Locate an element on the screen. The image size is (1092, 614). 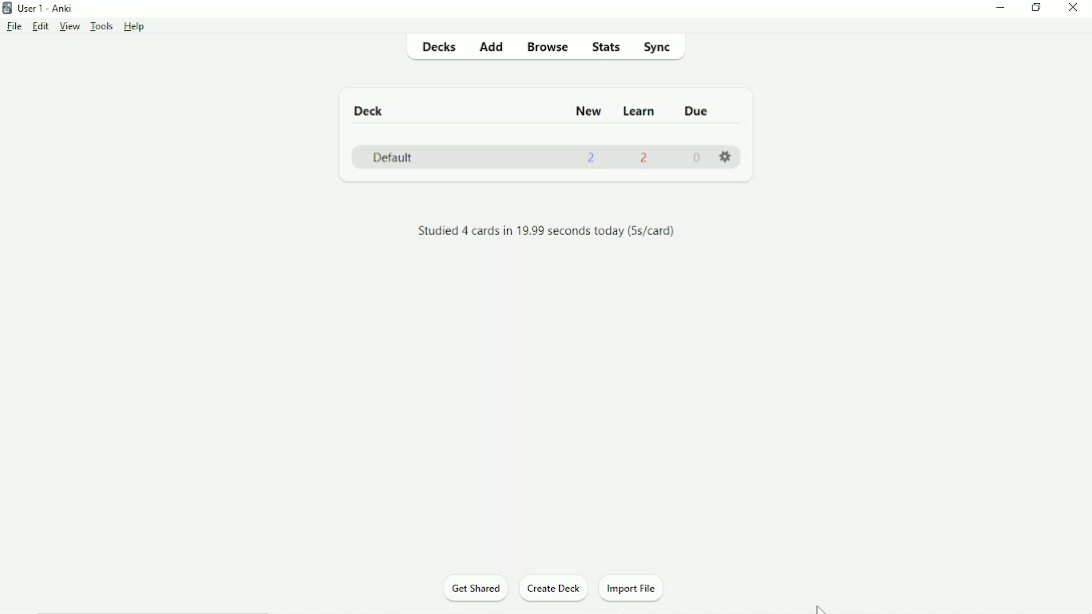
Help is located at coordinates (135, 27).